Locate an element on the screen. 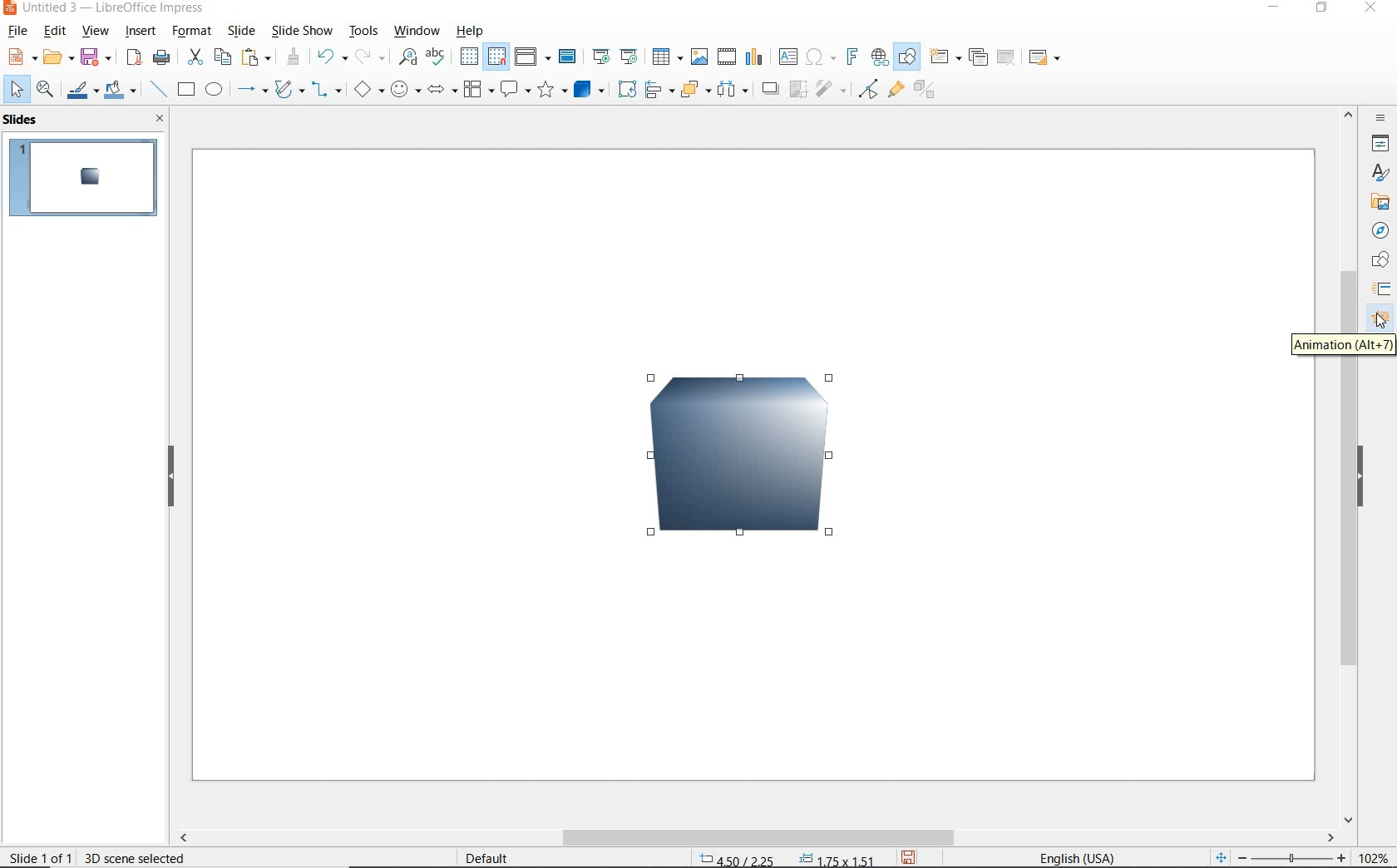  3D Image is located at coordinates (735, 454).